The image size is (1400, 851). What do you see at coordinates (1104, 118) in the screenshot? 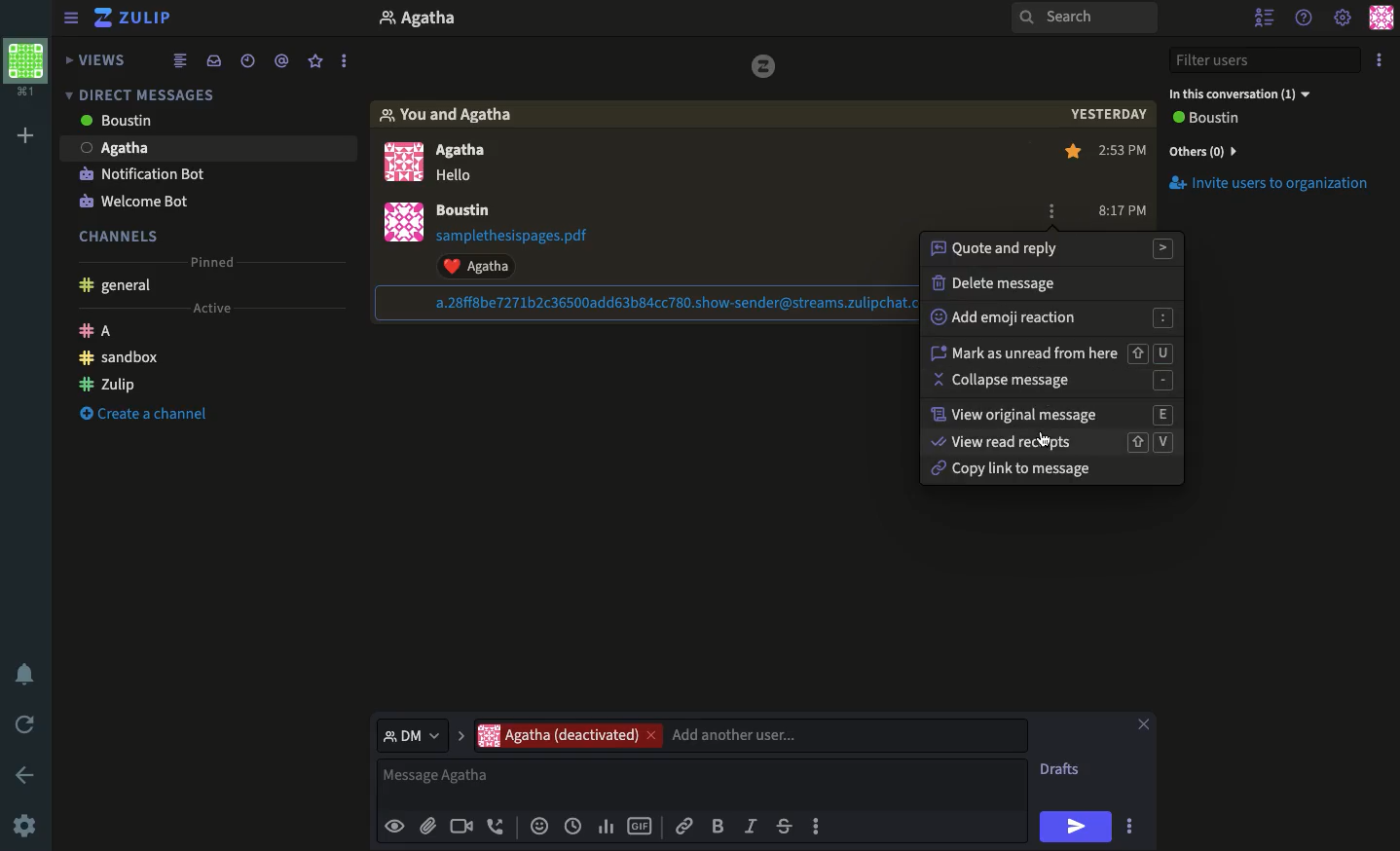
I see `yesterday` at bounding box center [1104, 118].